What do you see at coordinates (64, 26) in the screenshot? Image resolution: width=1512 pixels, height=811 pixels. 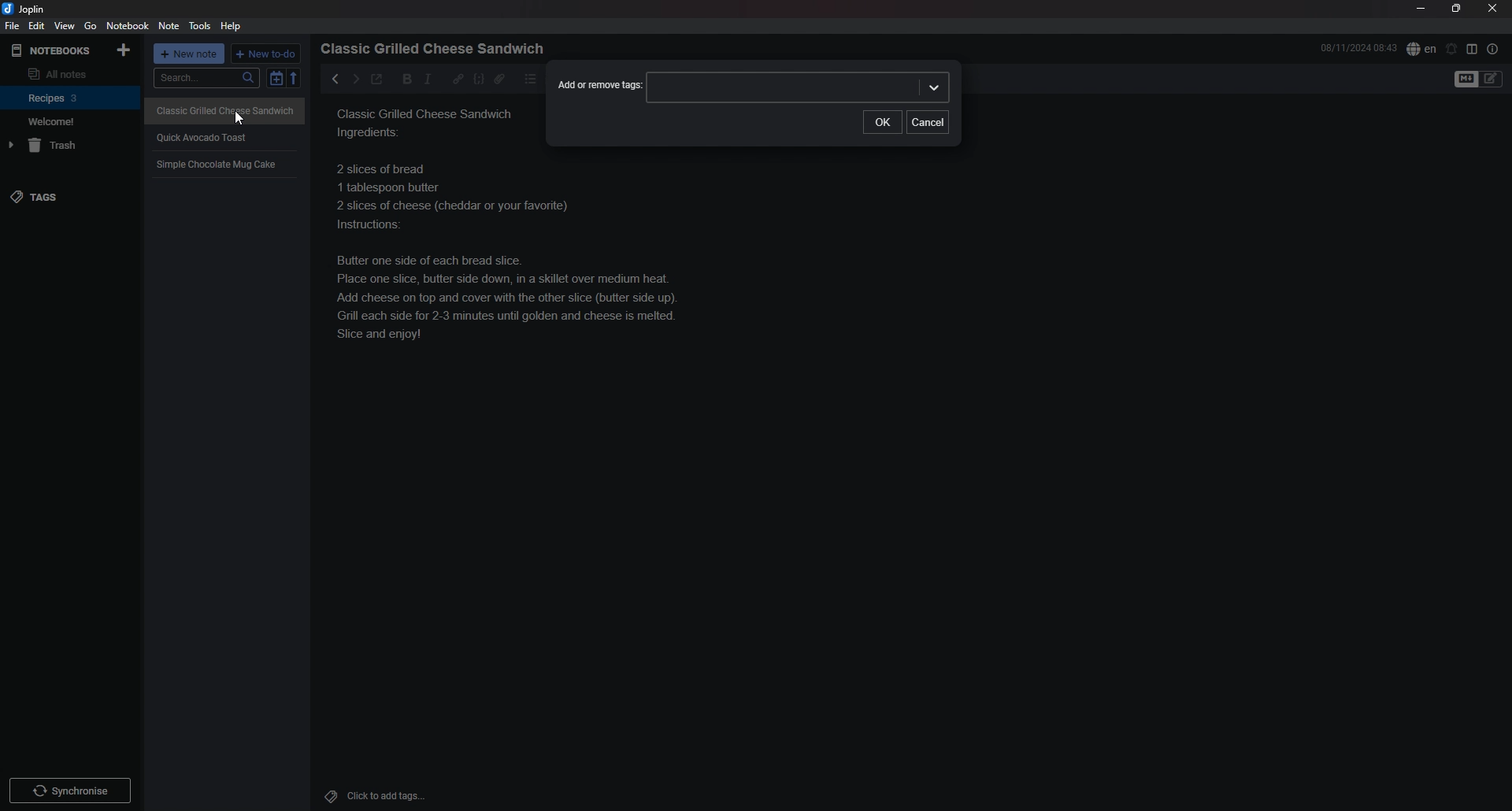 I see `view` at bounding box center [64, 26].